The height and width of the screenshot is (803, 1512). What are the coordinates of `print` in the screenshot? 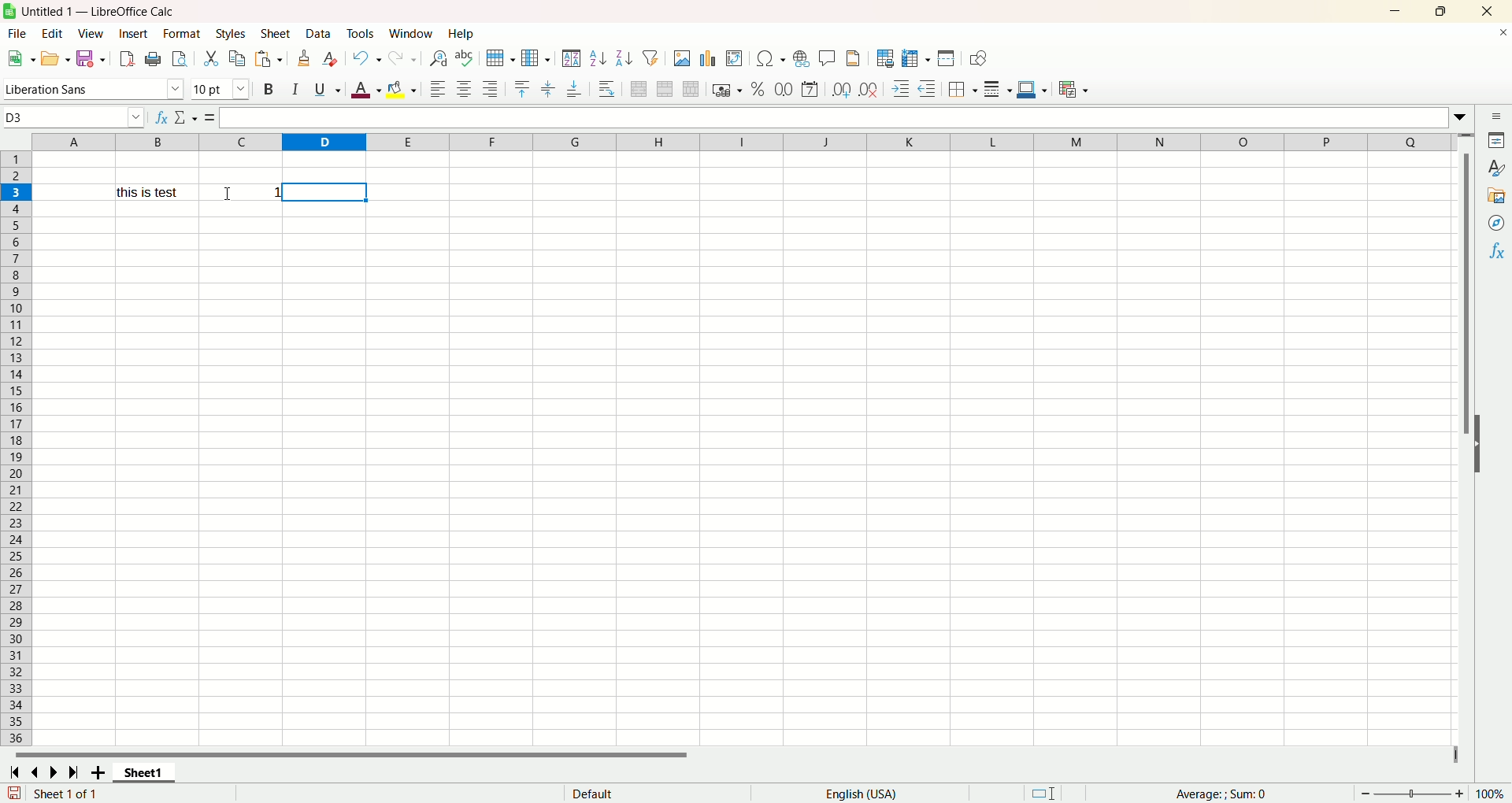 It's located at (153, 60).